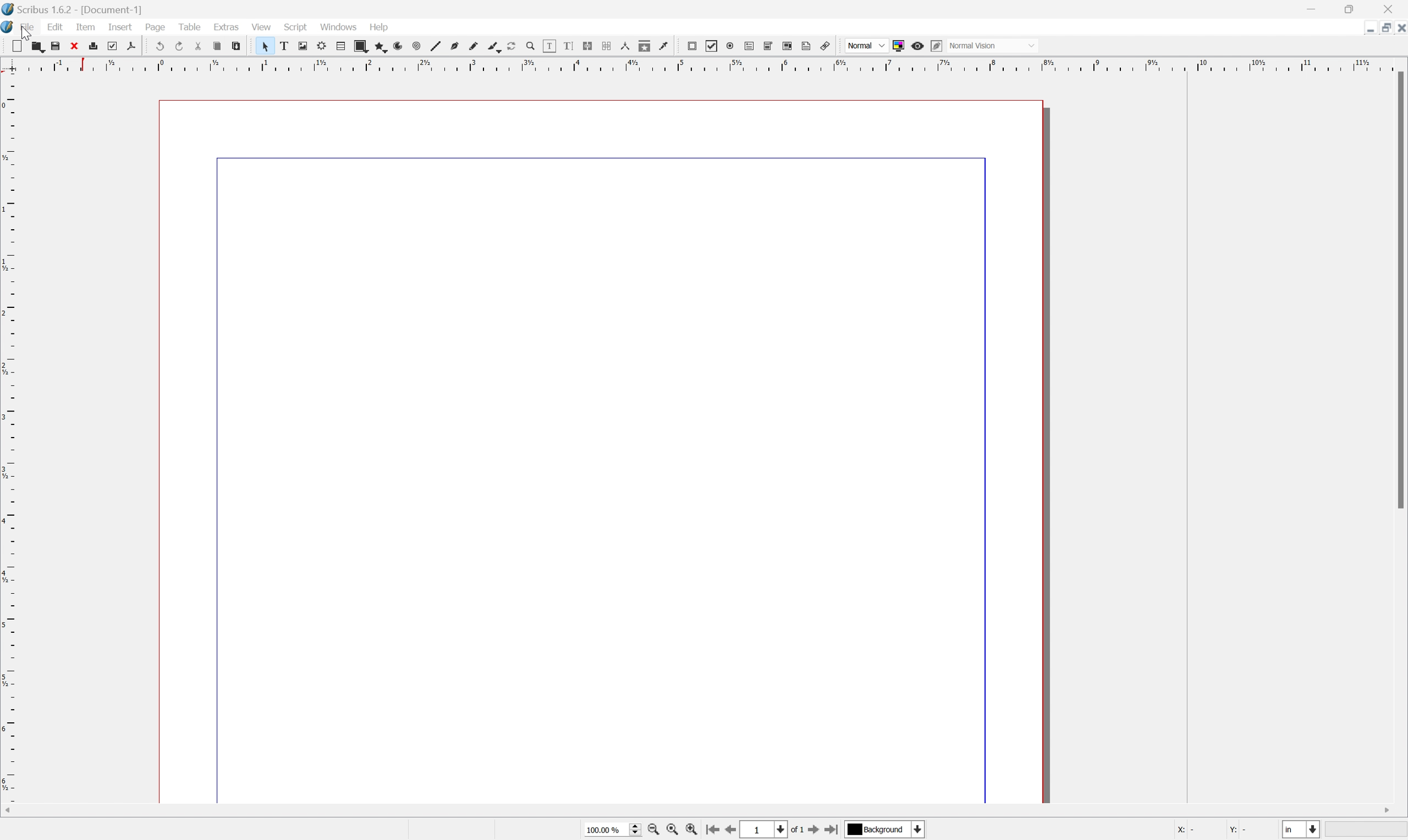  What do you see at coordinates (76, 9) in the screenshot?
I see `Scribus 1.6.2 - [Document-1]` at bounding box center [76, 9].